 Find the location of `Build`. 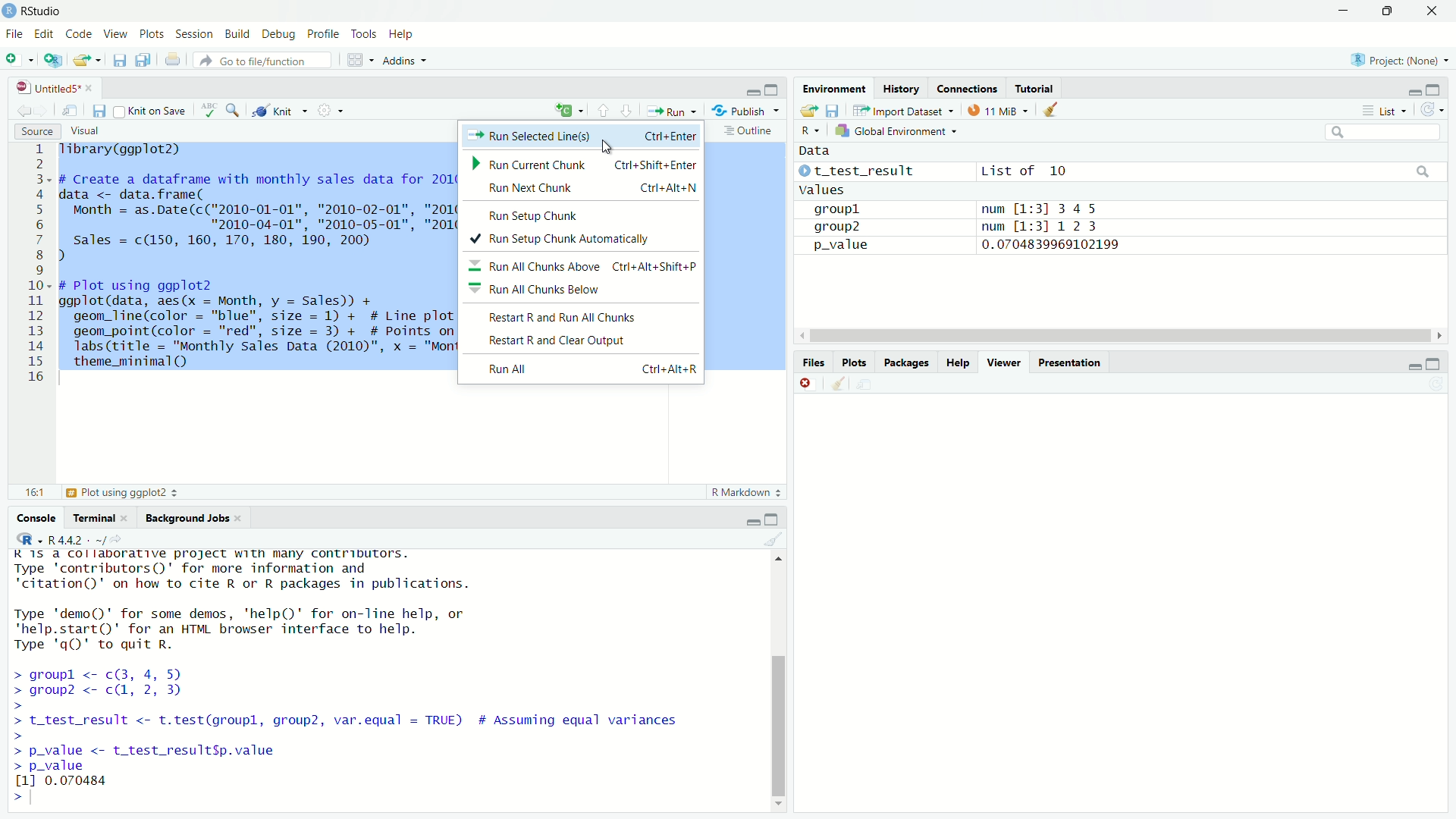

Build is located at coordinates (237, 31).